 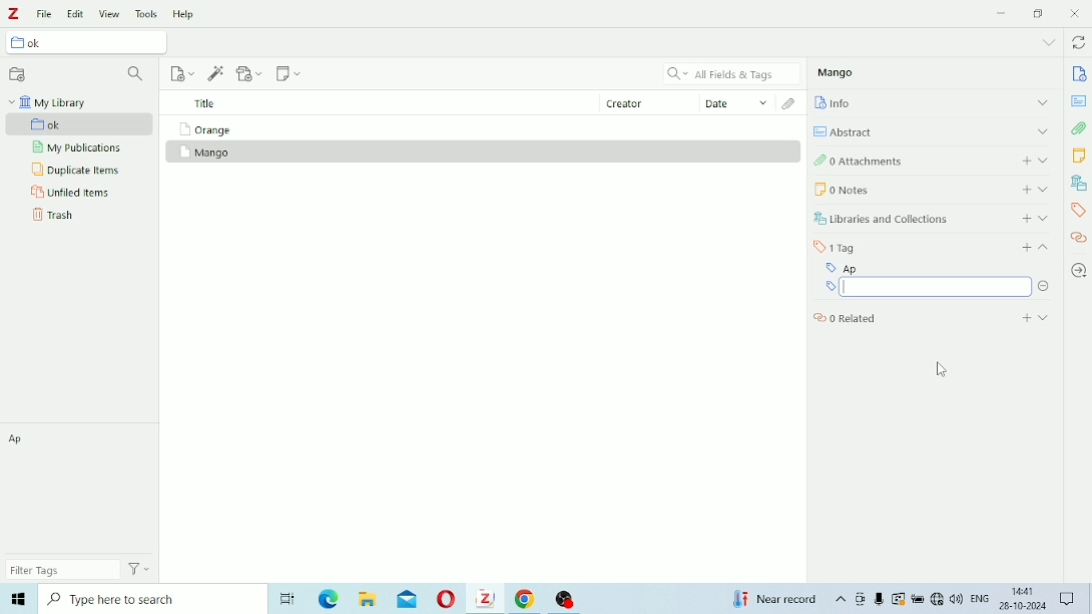 I want to click on Orange, so click(x=203, y=129).